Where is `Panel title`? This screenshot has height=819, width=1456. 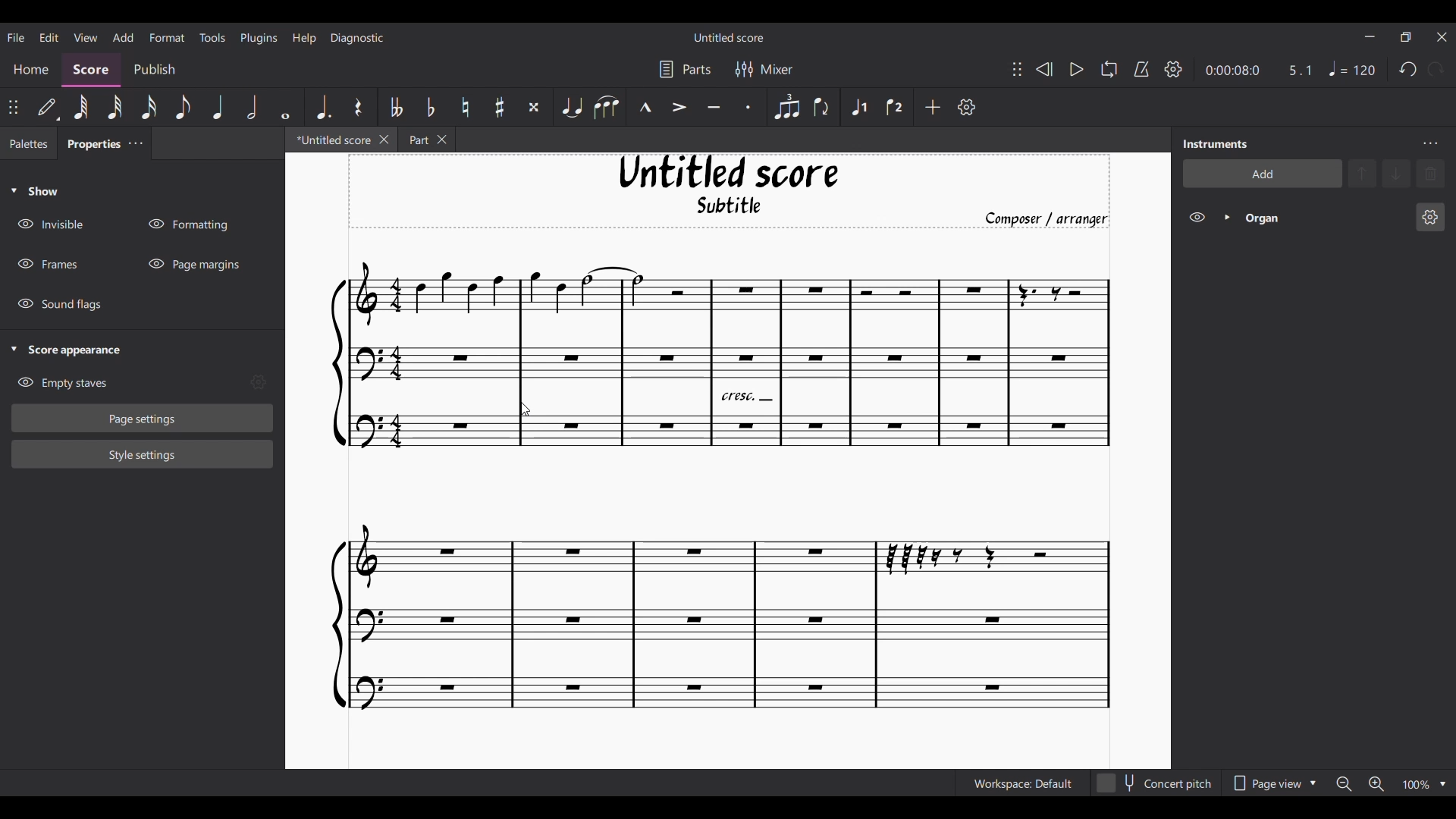 Panel title is located at coordinates (1216, 143).